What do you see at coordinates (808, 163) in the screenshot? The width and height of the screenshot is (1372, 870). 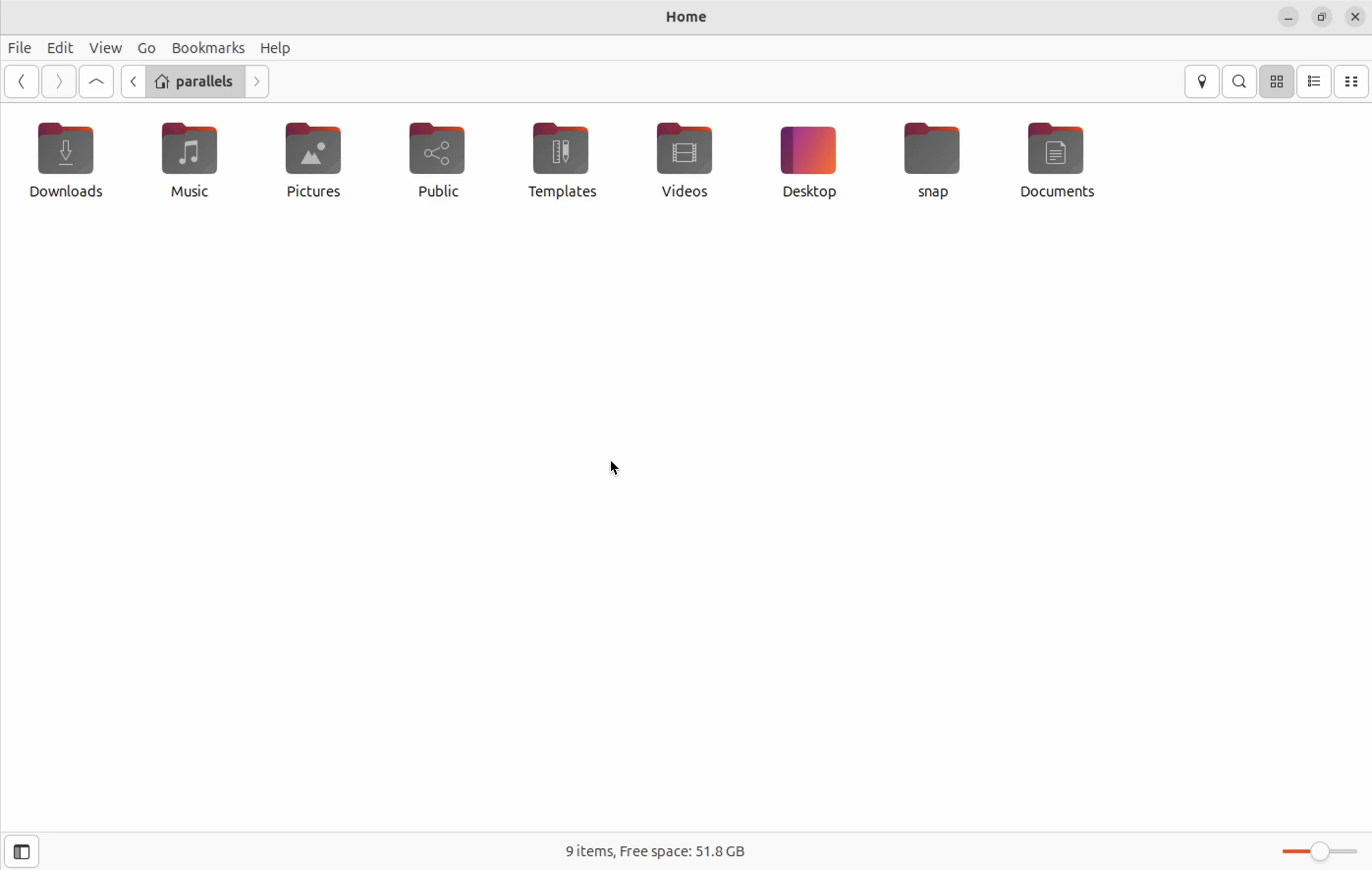 I see `desktop` at bounding box center [808, 163].